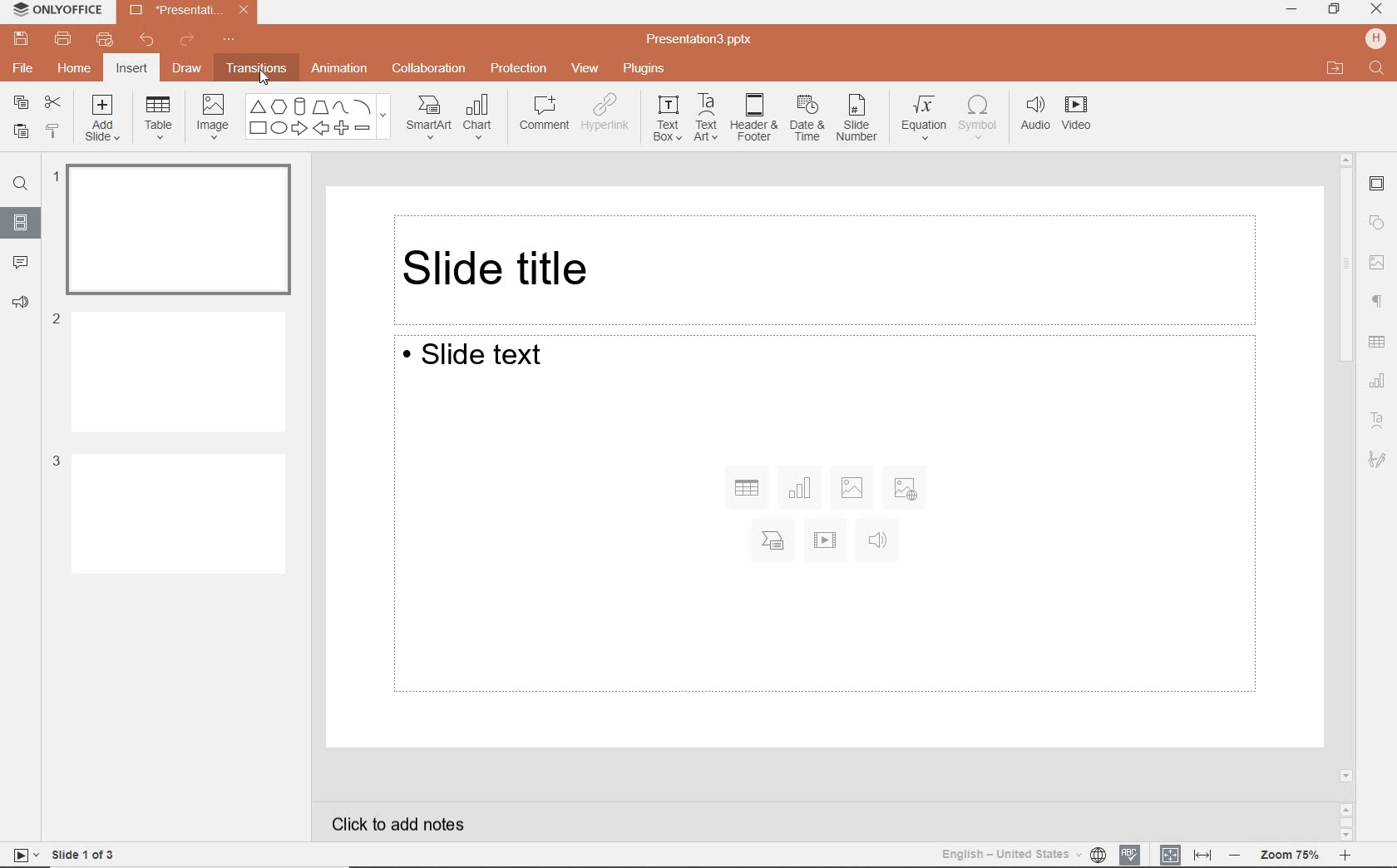 This screenshot has height=868, width=1397. I want to click on CURVE, so click(342, 106).